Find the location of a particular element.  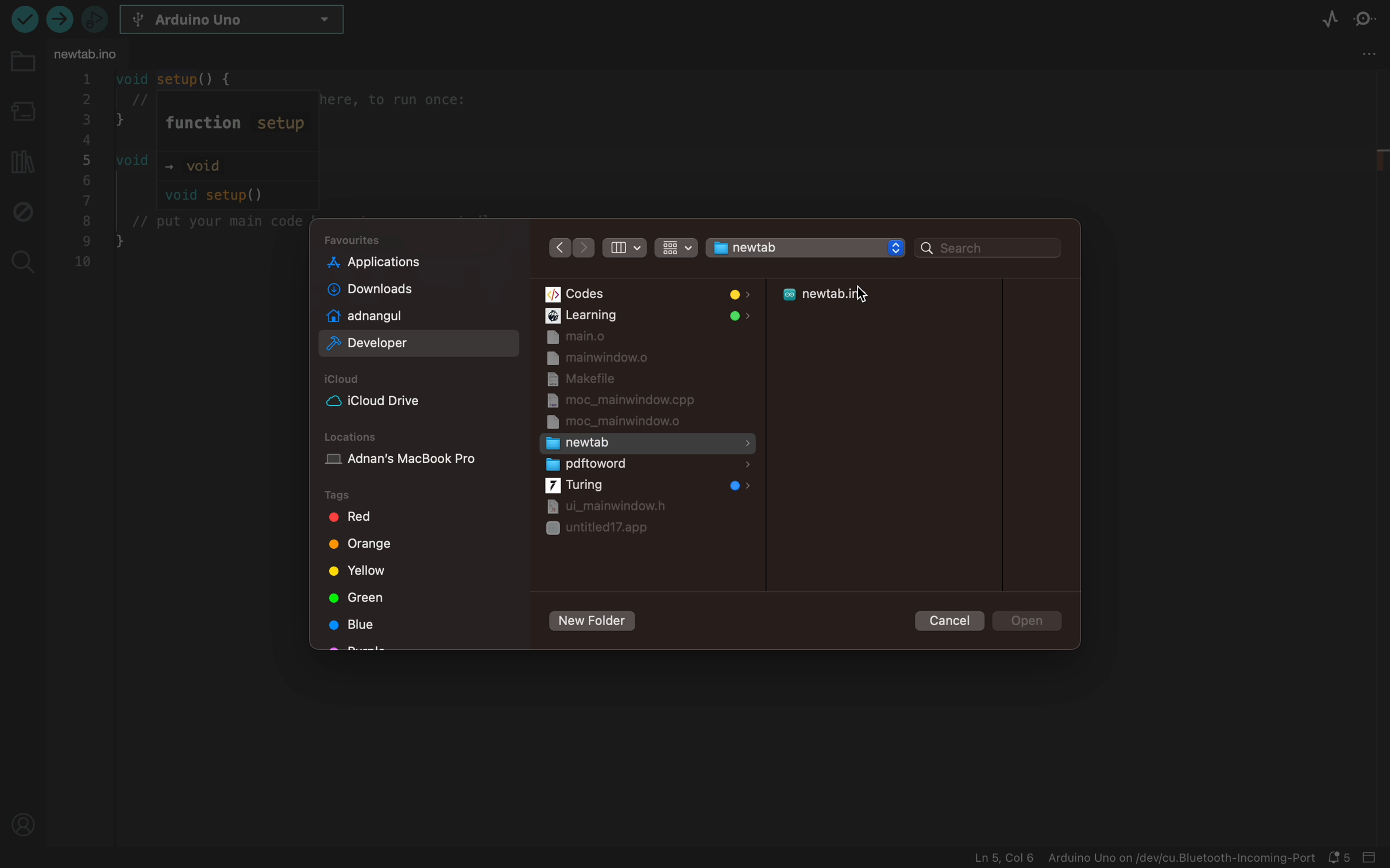

tags is located at coordinates (356, 596).